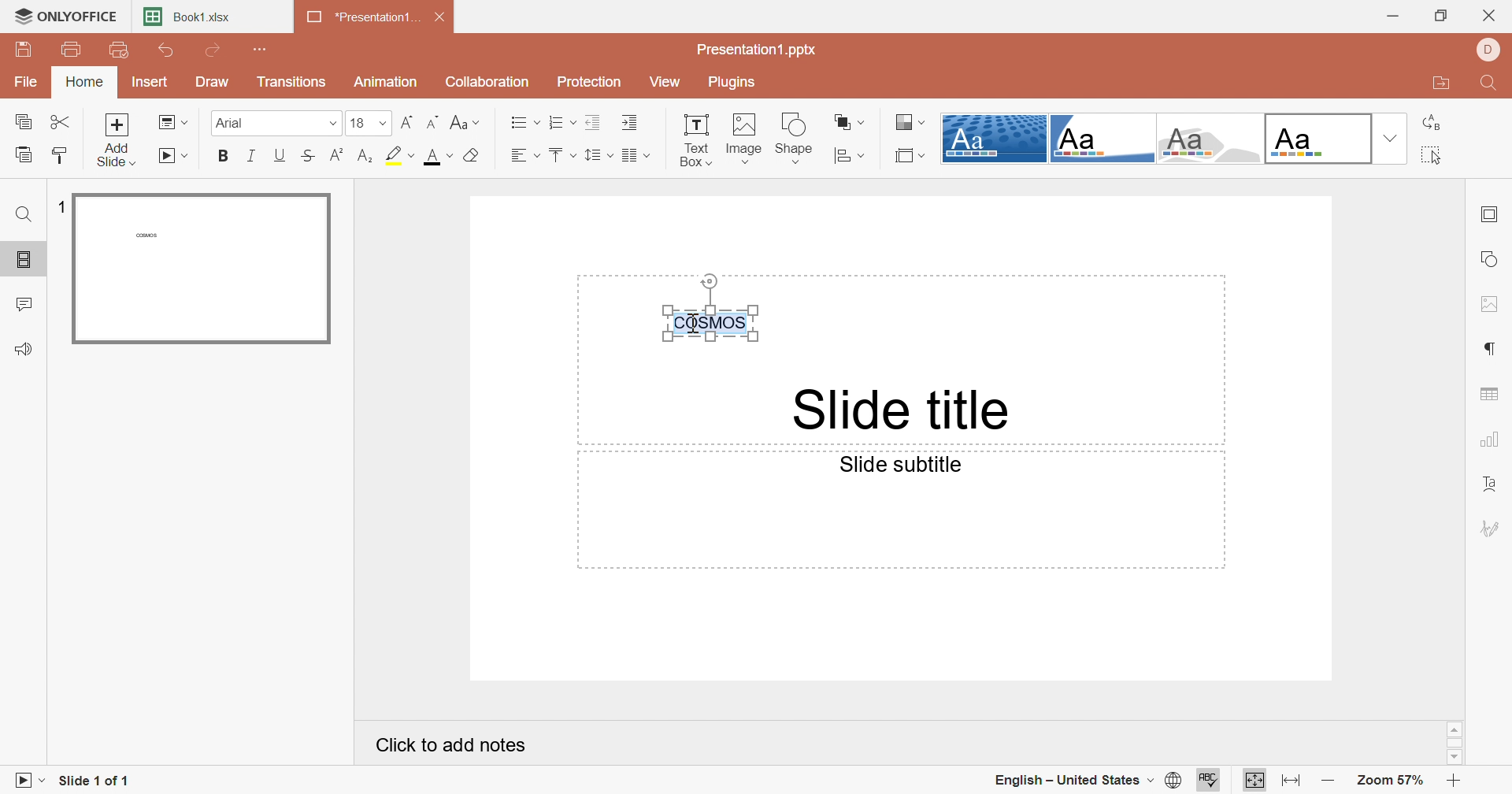  I want to click on Shape settings, so click(1492, 258).